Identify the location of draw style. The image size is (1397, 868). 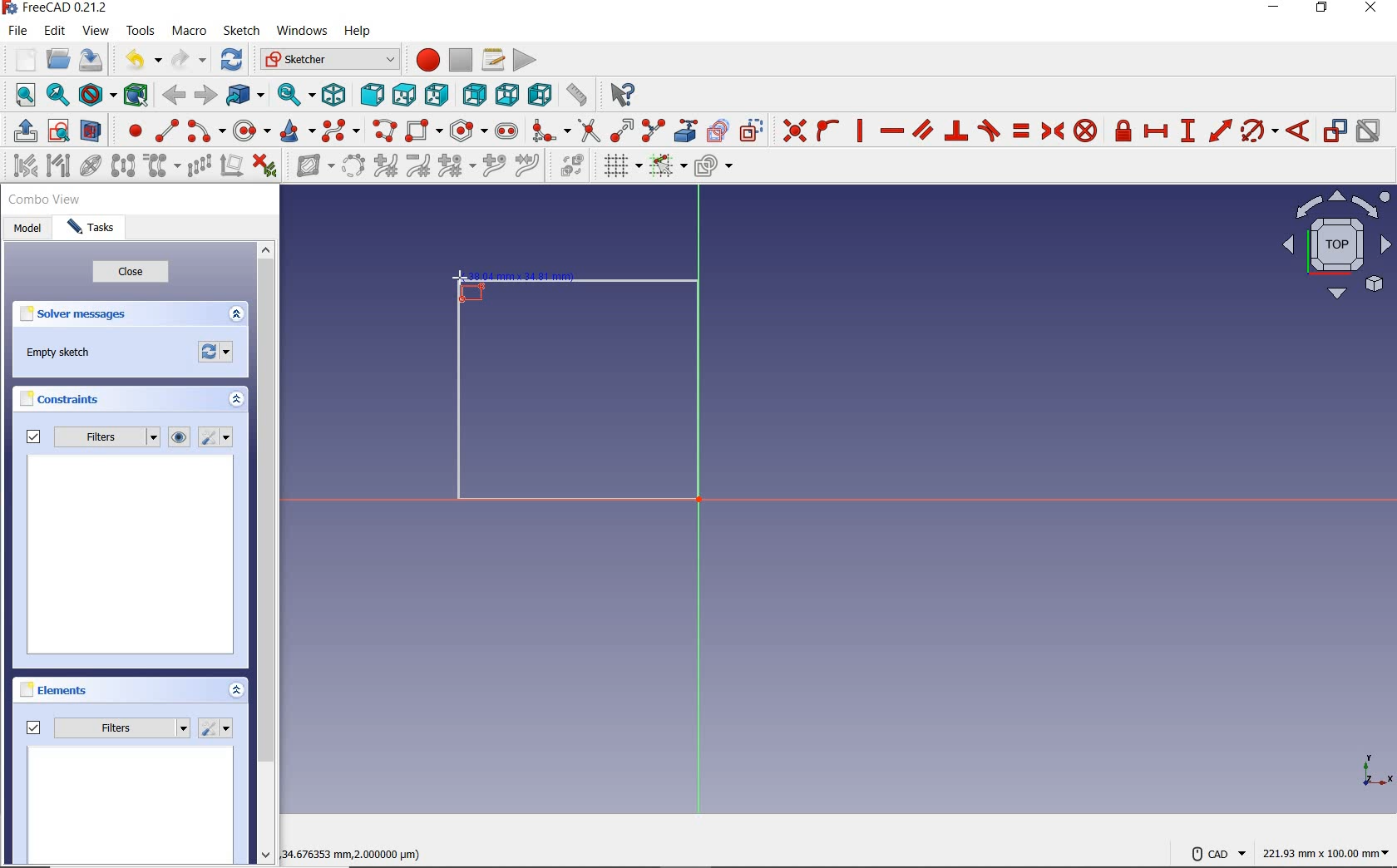
(96, 96).